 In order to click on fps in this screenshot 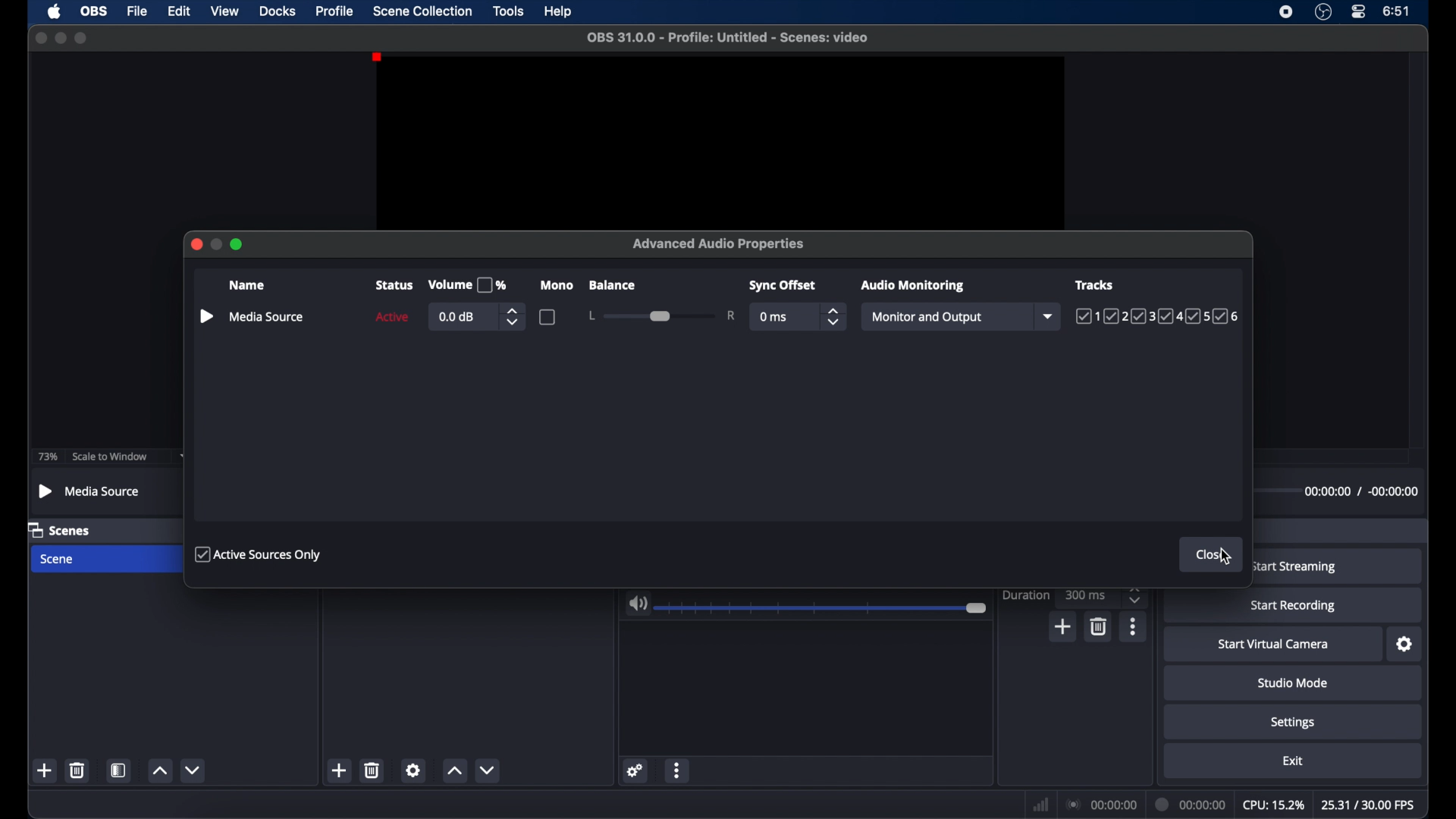, I will do `click(1369, 805)`.